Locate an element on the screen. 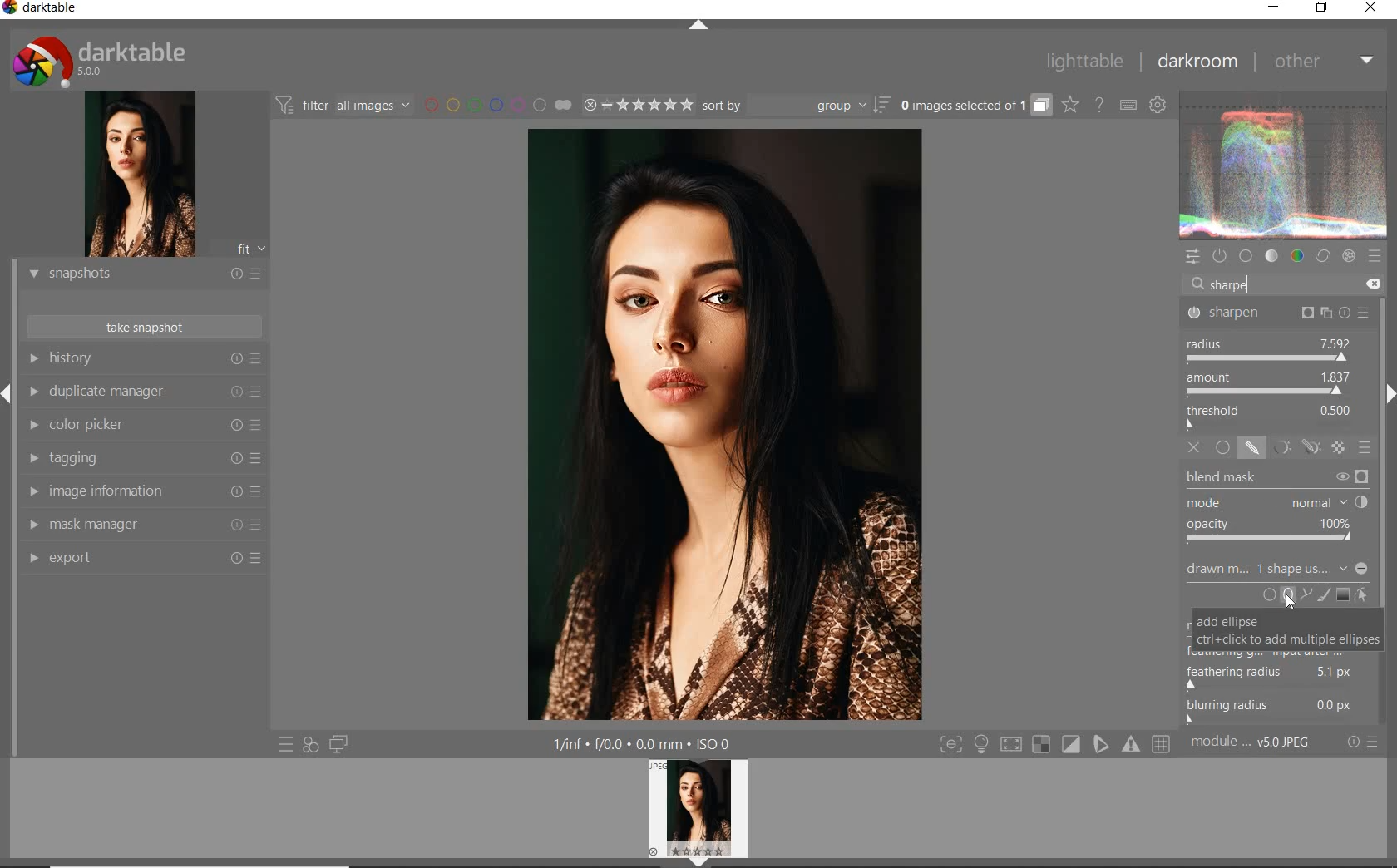 This screenshot has width=1397, height=868. MINIMIZE is located at coordinates (1274, 8).